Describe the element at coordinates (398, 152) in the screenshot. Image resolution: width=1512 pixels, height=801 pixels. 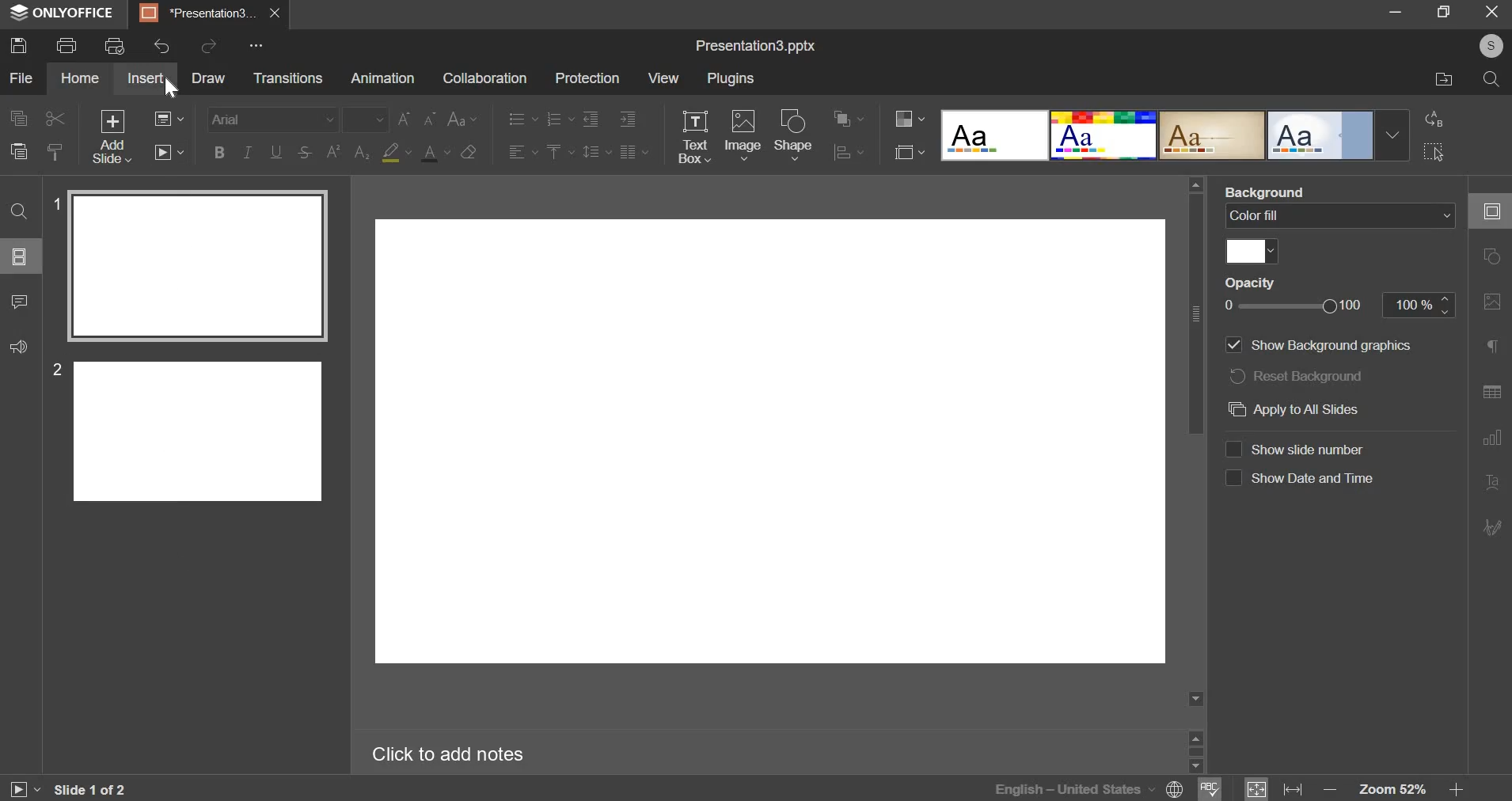
I see `fill color` at that location.